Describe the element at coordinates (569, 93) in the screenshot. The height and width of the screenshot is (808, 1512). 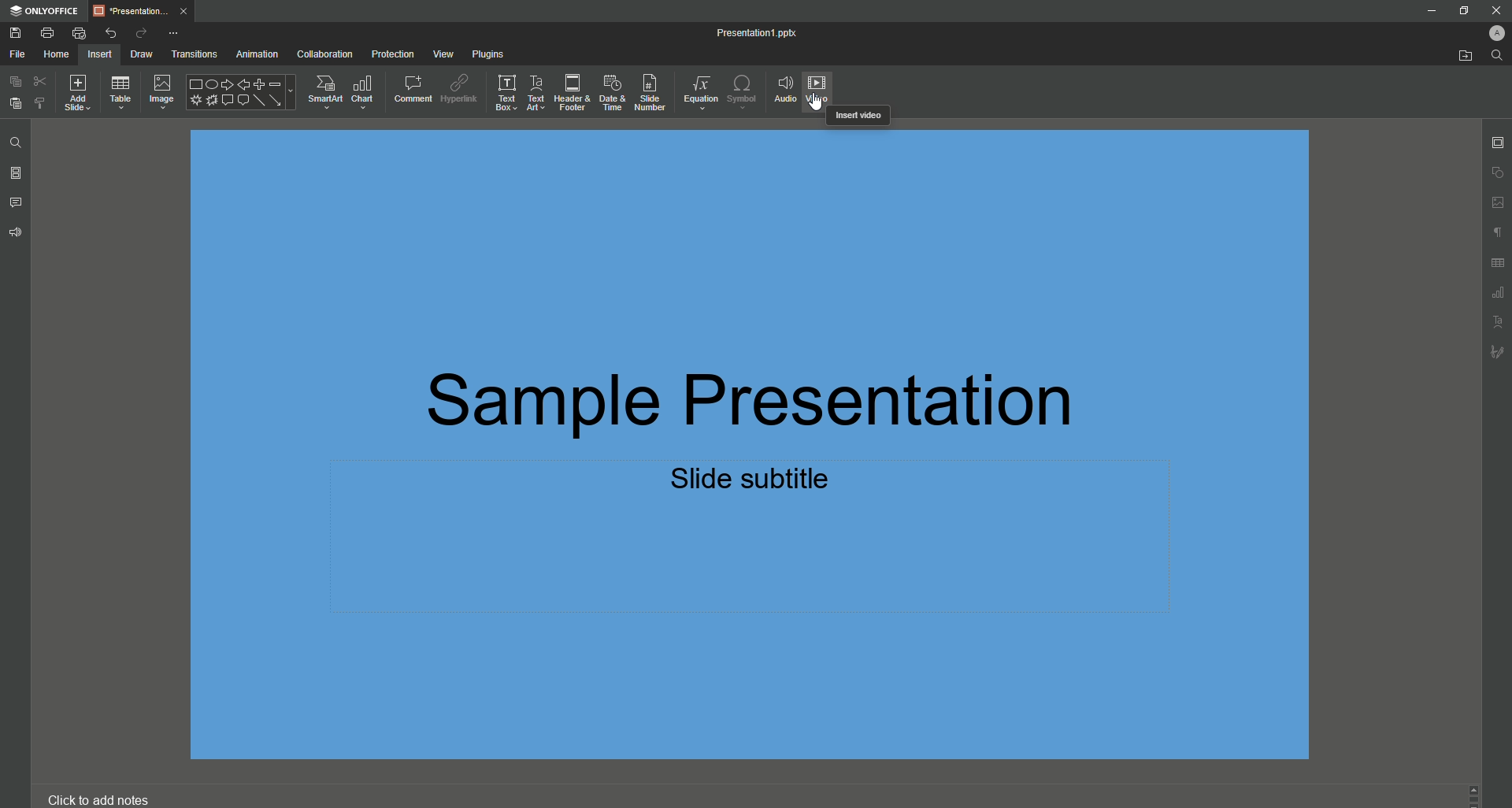
I see `Header and Footer` at that location.